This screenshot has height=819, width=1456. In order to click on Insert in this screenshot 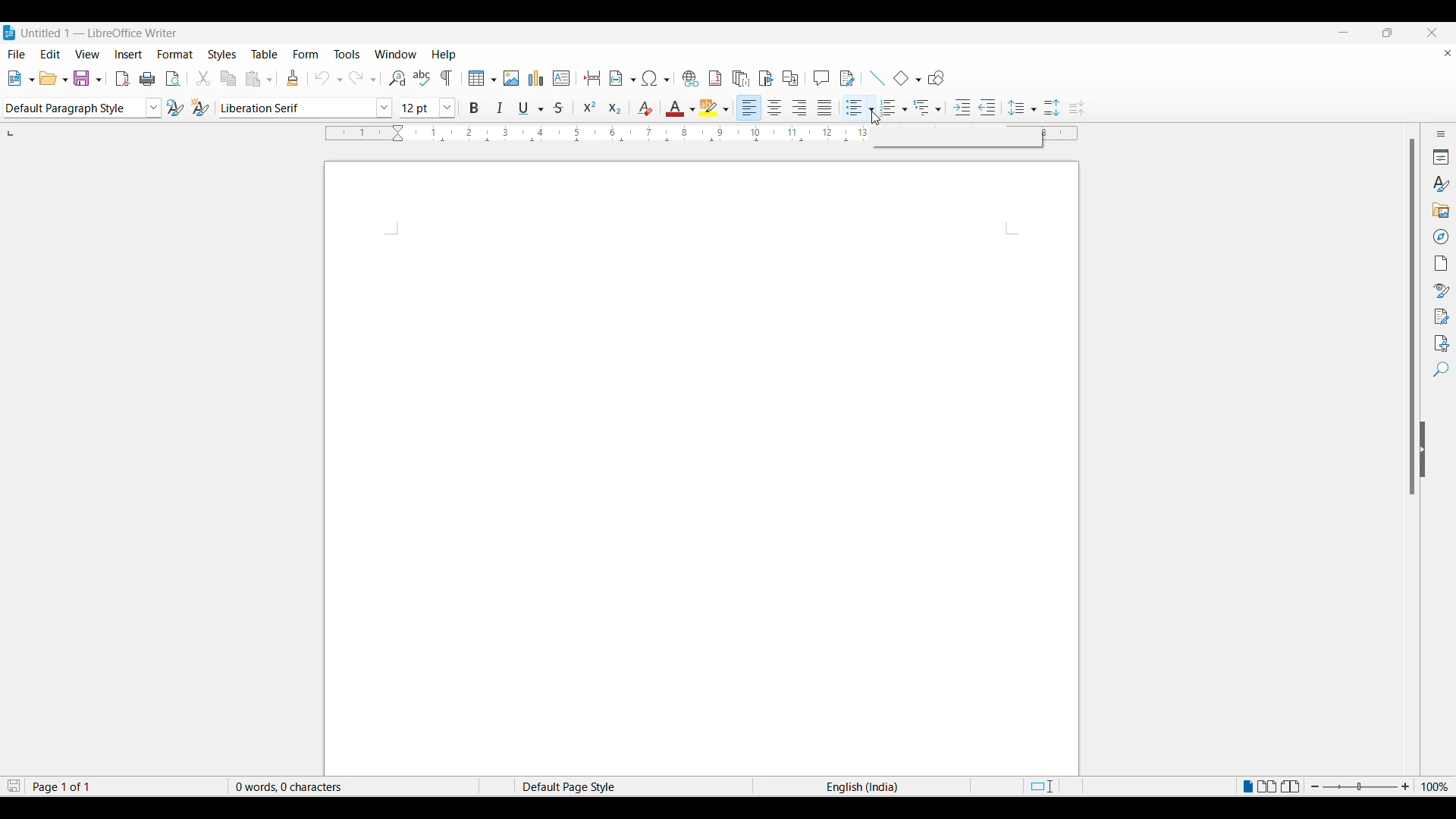, I will do `click(128, 53)`.